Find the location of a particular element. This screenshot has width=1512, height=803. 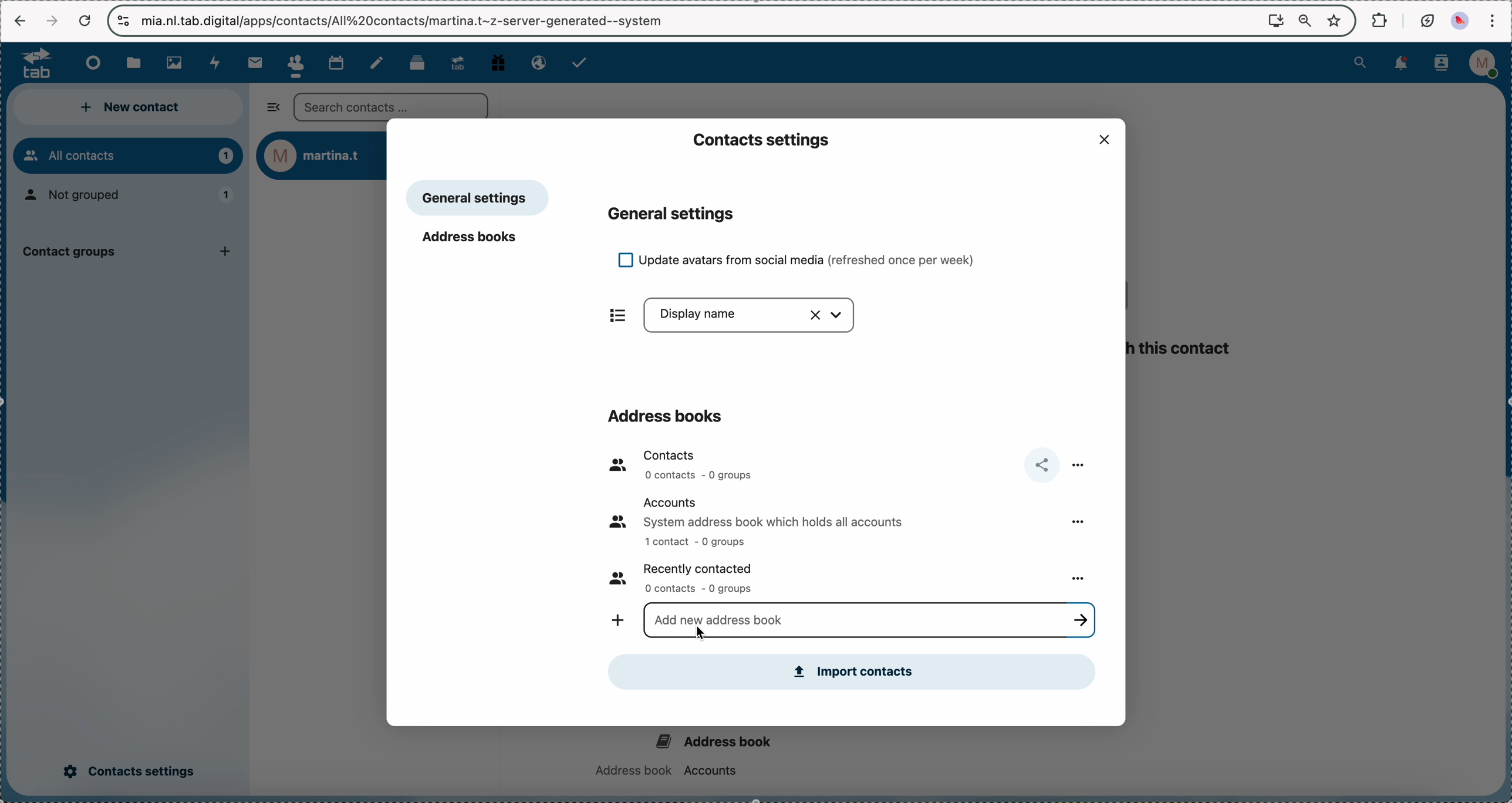

hide sidebar is located at coordinates (270, 110).